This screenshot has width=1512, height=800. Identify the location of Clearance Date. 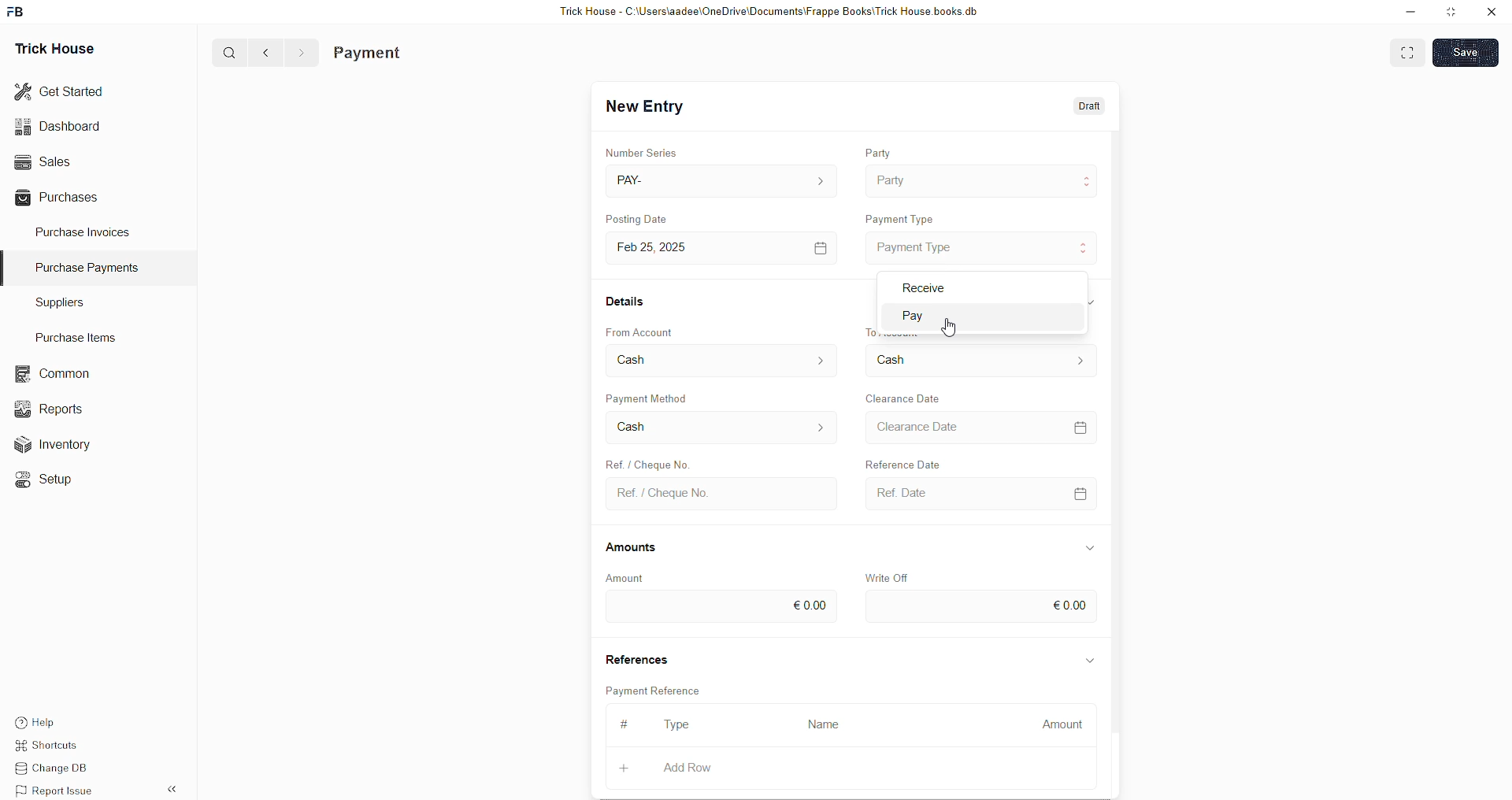
(925, 428).